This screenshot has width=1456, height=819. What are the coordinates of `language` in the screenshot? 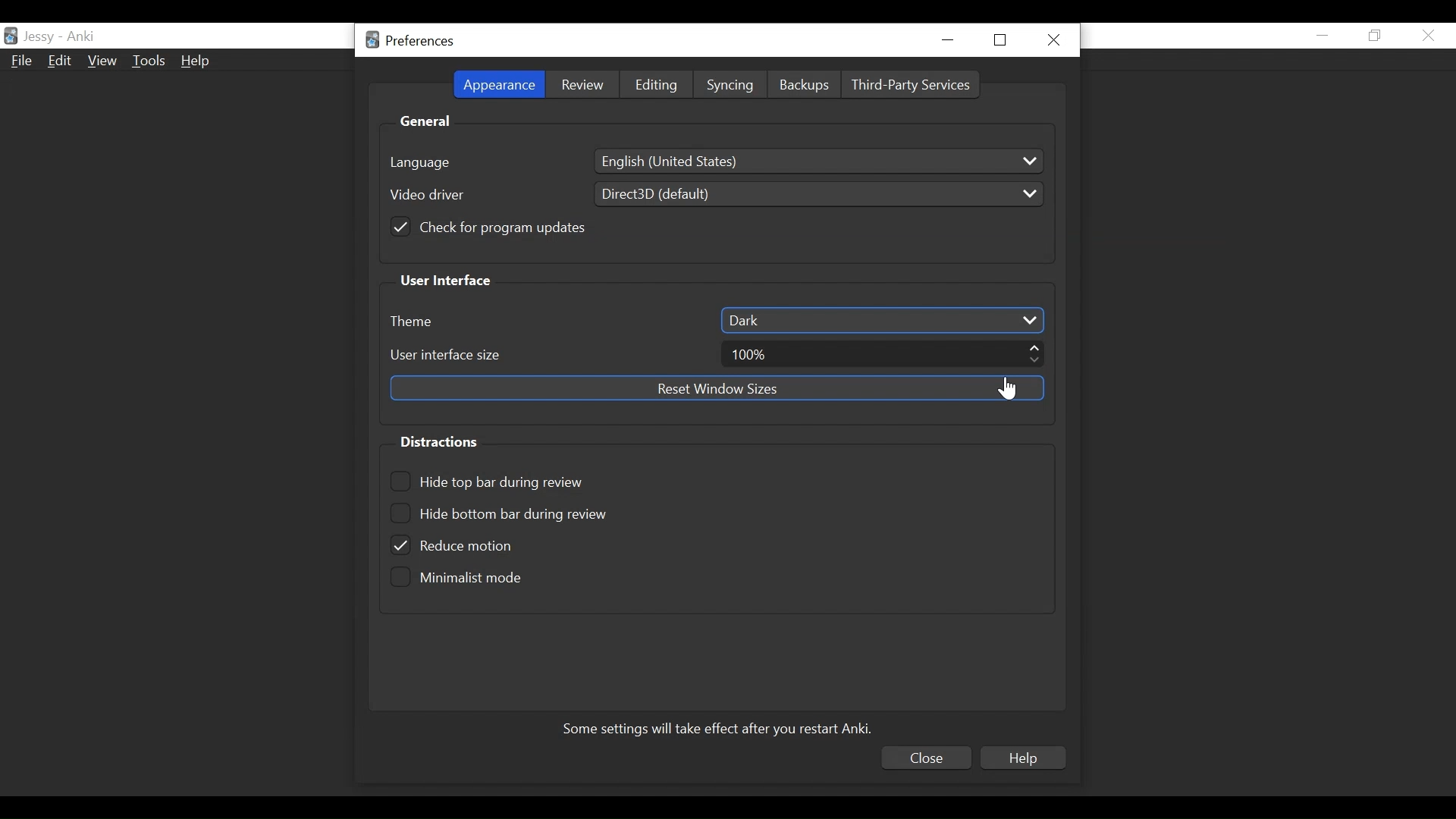 It's located at (421, 162).